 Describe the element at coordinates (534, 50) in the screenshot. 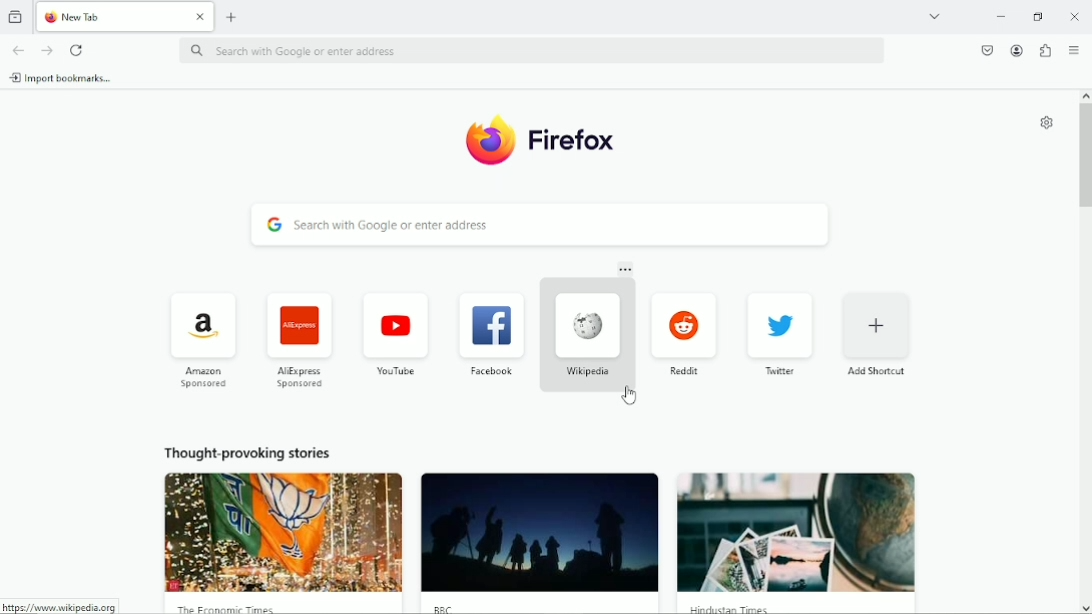

I see `Search with google or enter address` at that location.